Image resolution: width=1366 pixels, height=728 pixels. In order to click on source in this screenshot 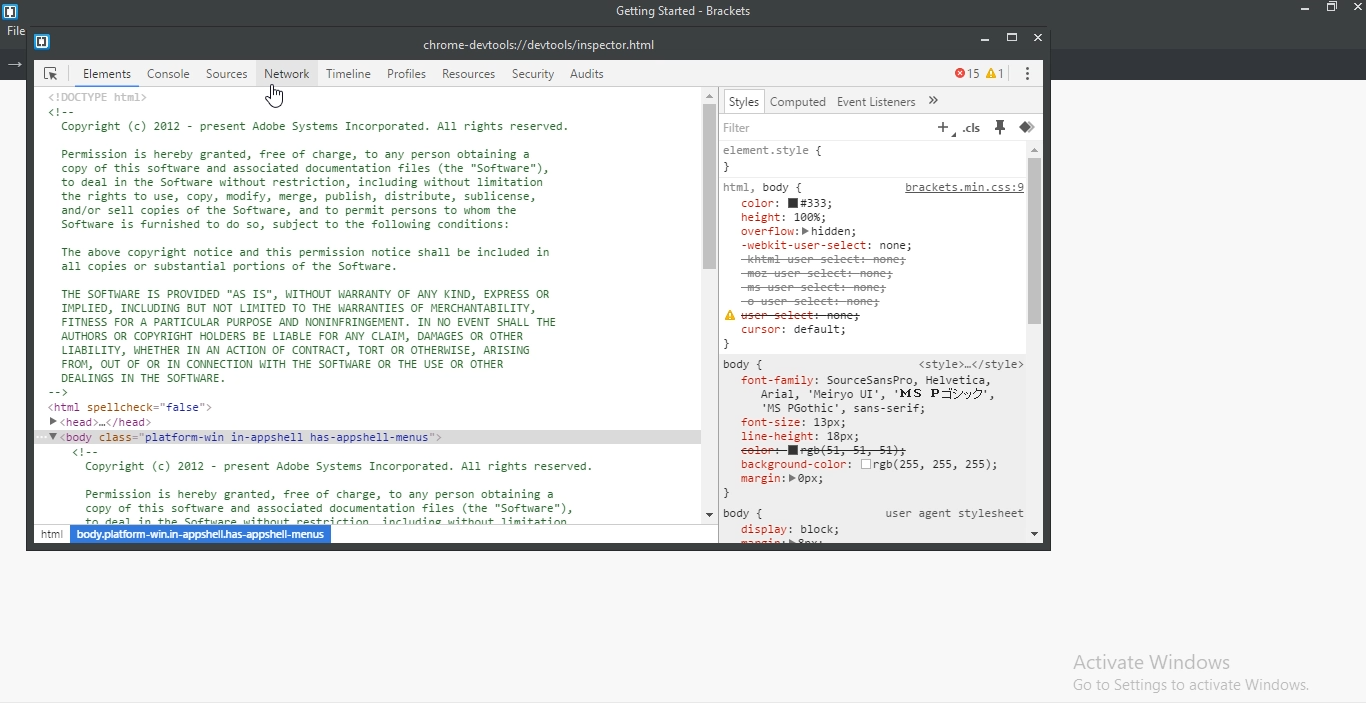, I will do `click(229, 73)`.